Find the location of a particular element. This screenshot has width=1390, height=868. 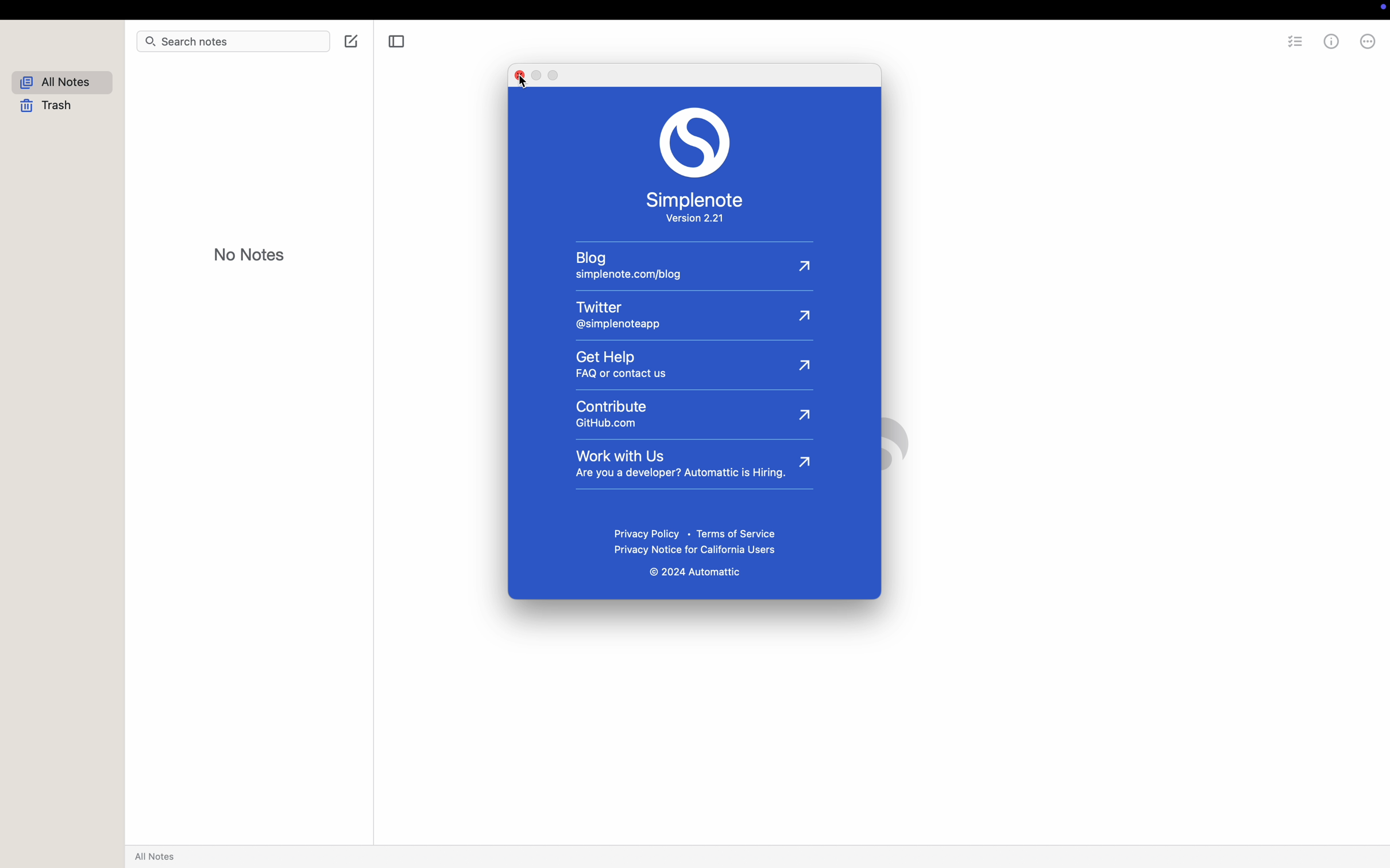

version 2.21 is located at coordinates (697, 220).